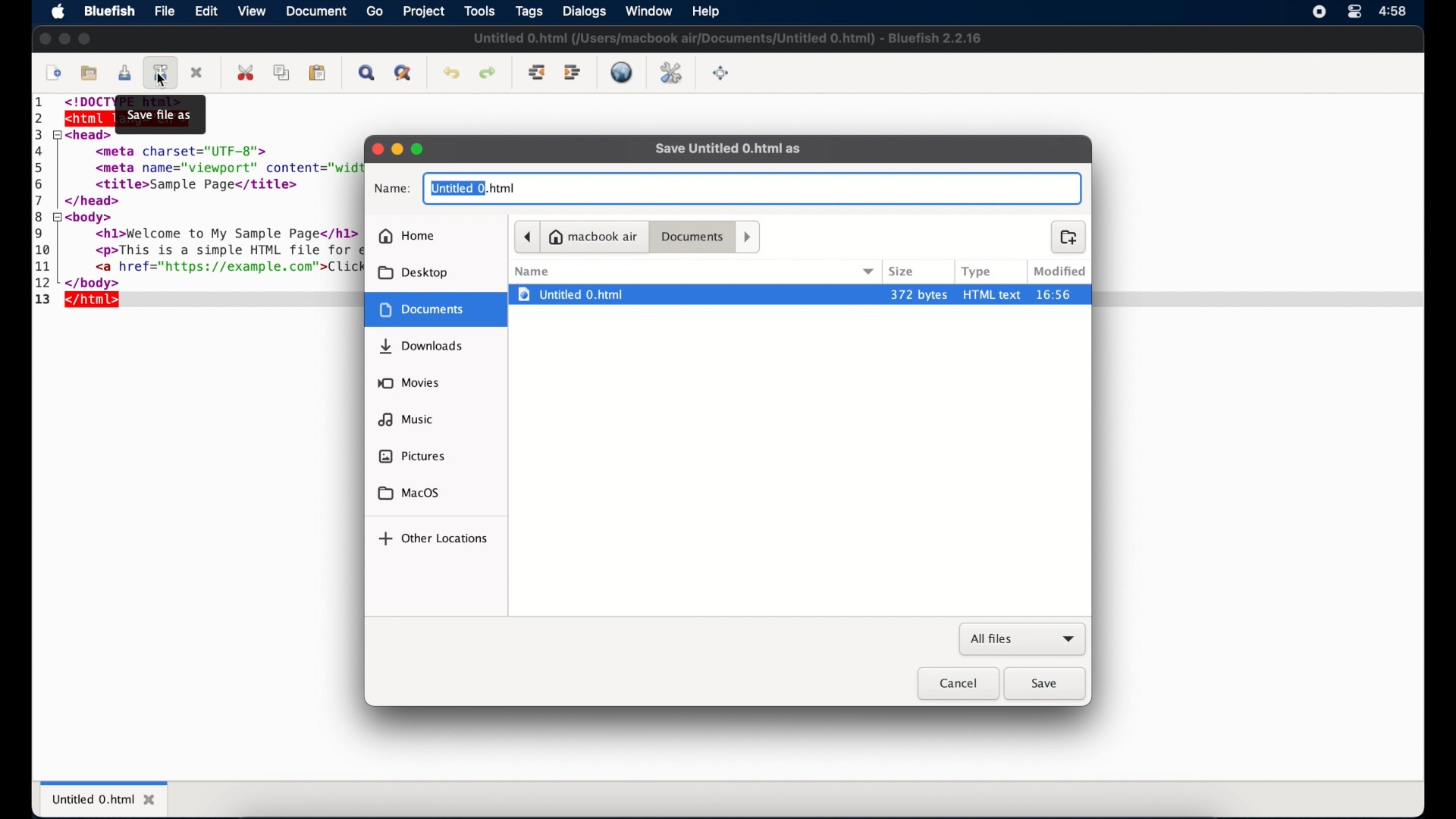  Describe the element at coordinates (165, 11) in the screenshot. I see `file` at that location.